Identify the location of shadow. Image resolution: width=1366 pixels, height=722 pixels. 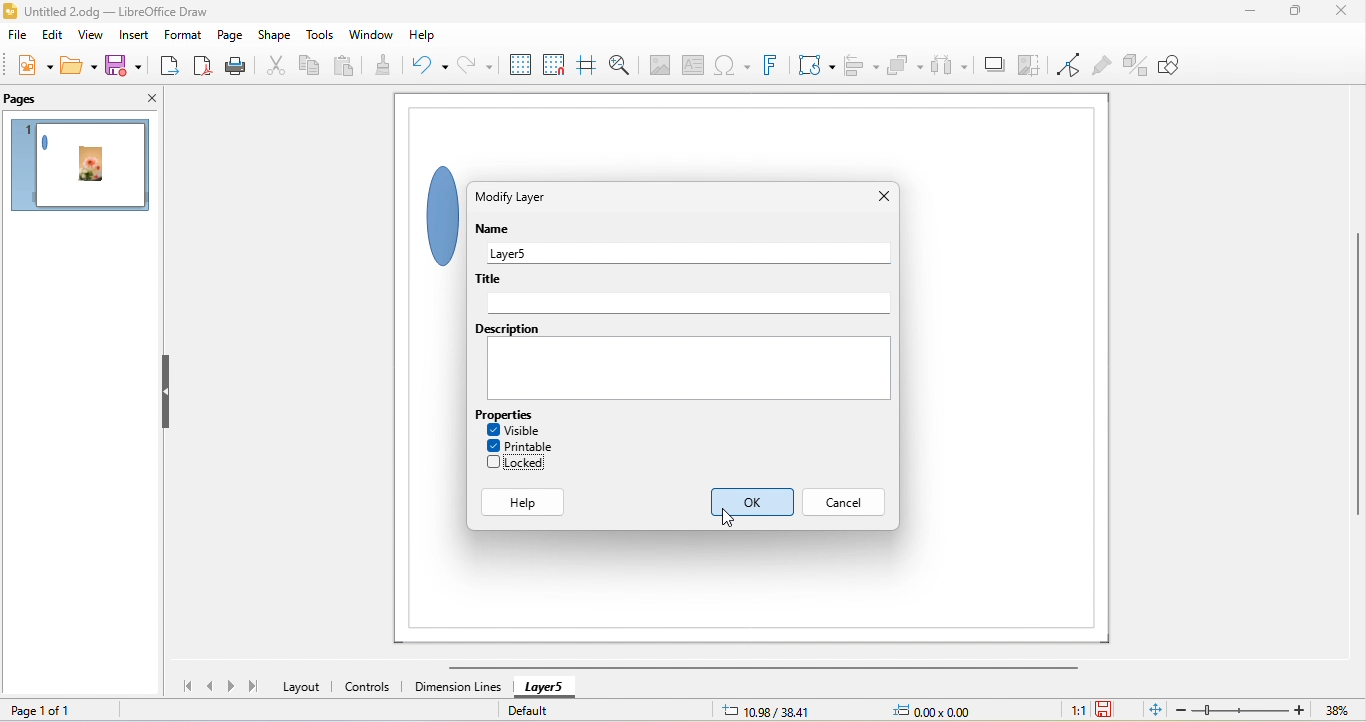
(993, 66).